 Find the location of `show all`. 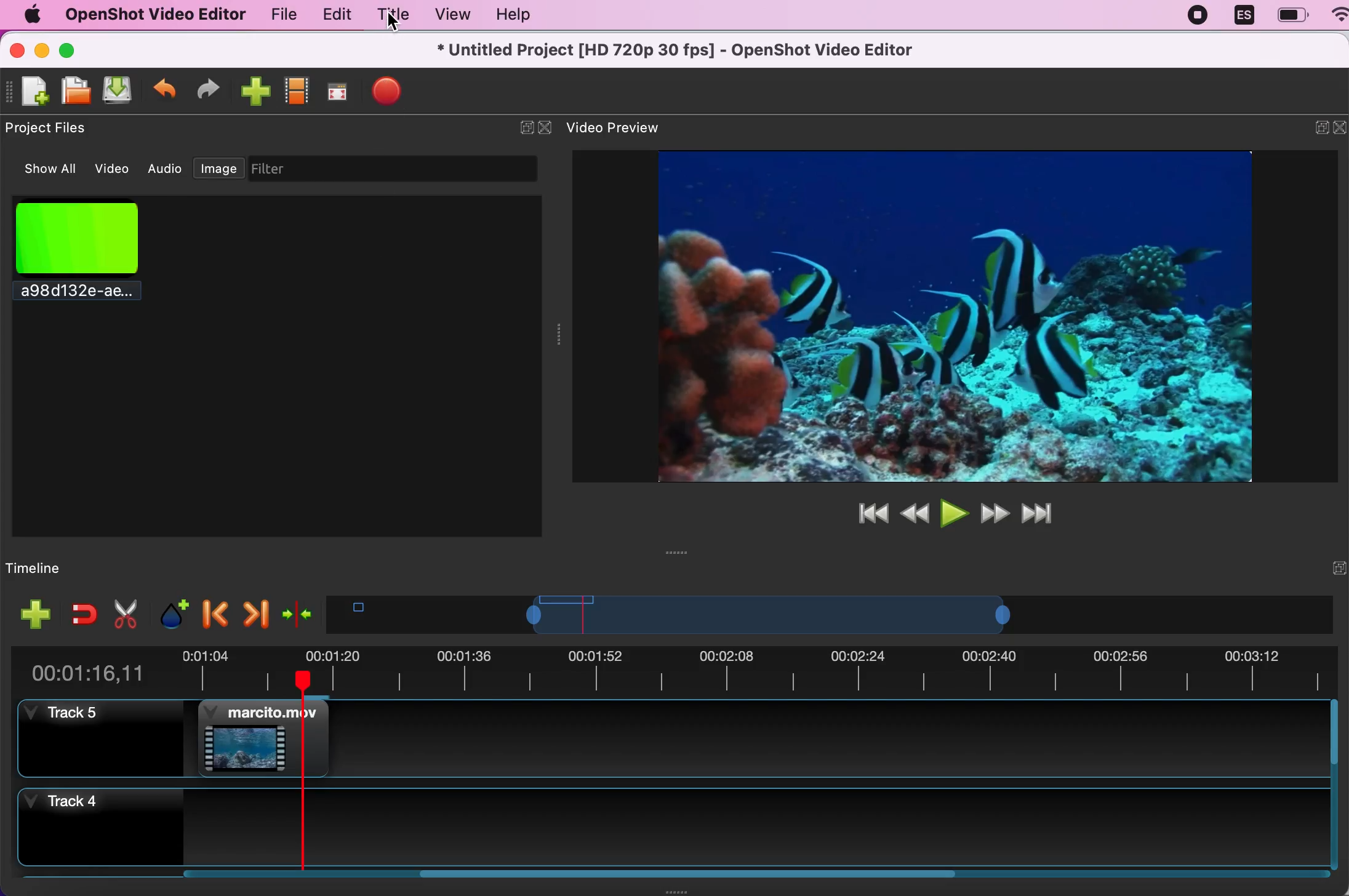

show all is located at coordinates (44, 169).